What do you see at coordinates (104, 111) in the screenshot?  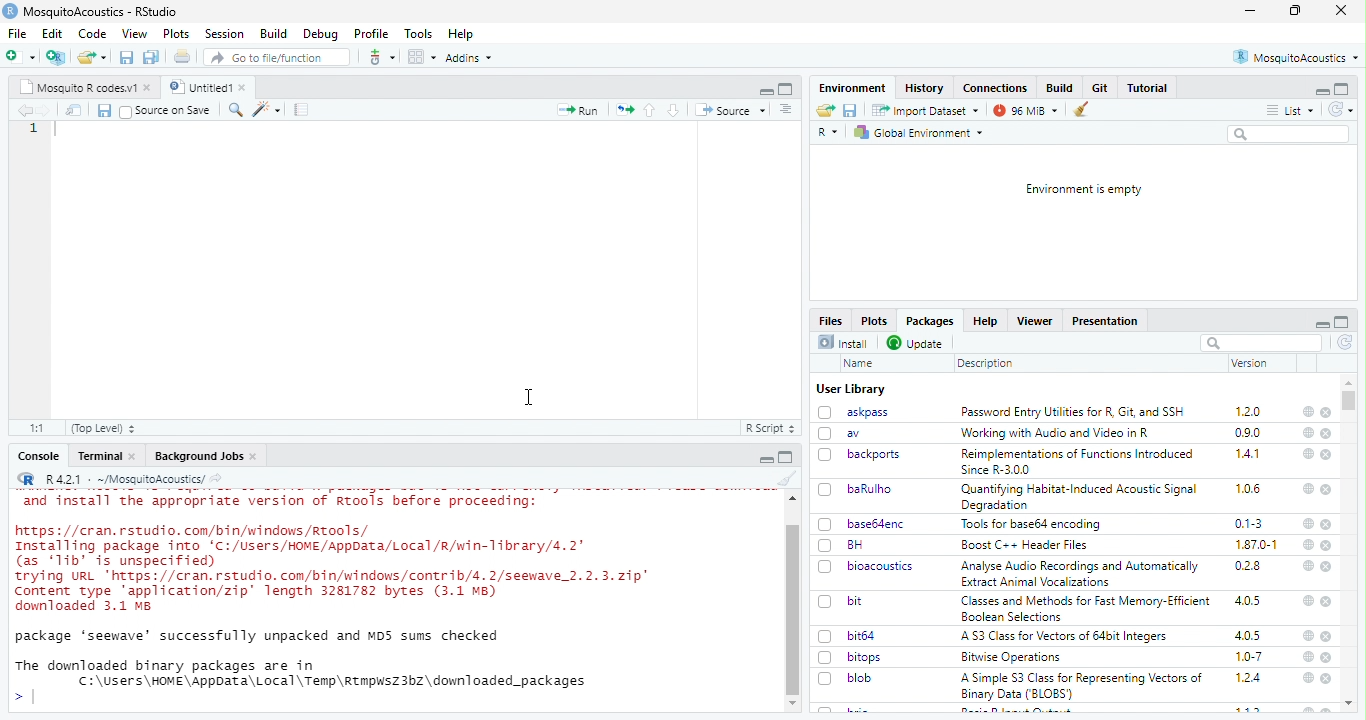 I see `save` at bounding box center [104, 111].